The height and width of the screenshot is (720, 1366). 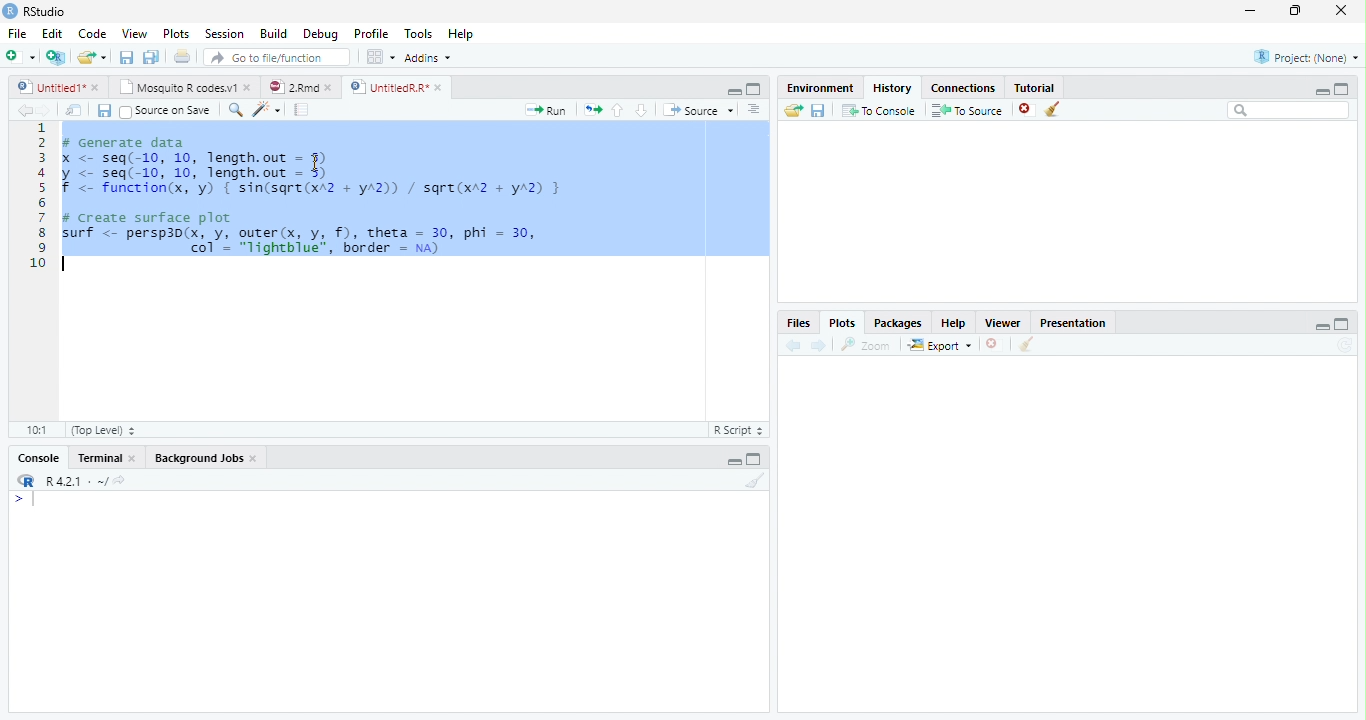 What do you see at coordinates (76, 480) in the screenshot?
I see `R 4.2.1 . ~/` at bounding box center [76, 480].